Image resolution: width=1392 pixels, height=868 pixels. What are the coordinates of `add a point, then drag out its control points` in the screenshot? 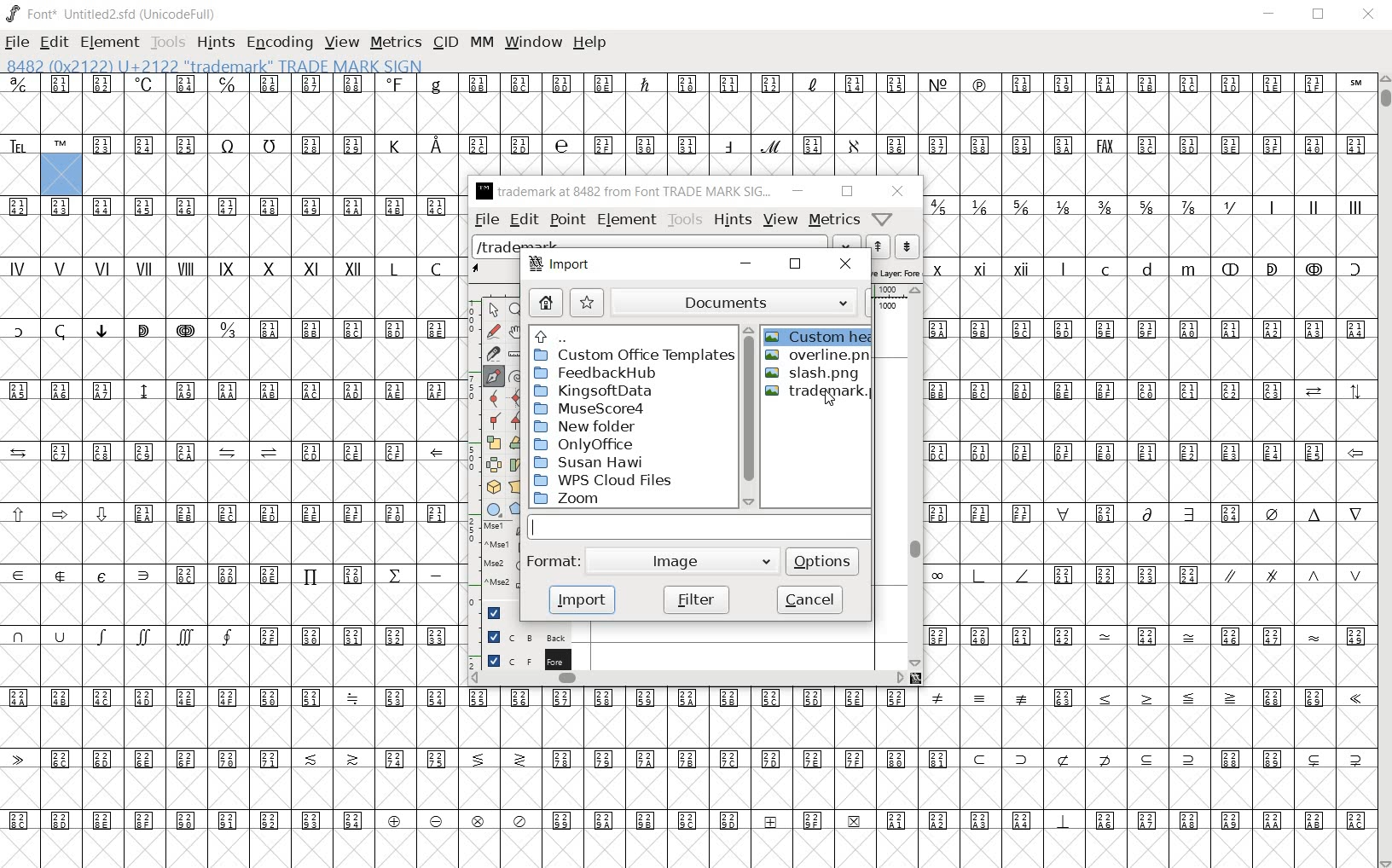 It's located at (492, 375).